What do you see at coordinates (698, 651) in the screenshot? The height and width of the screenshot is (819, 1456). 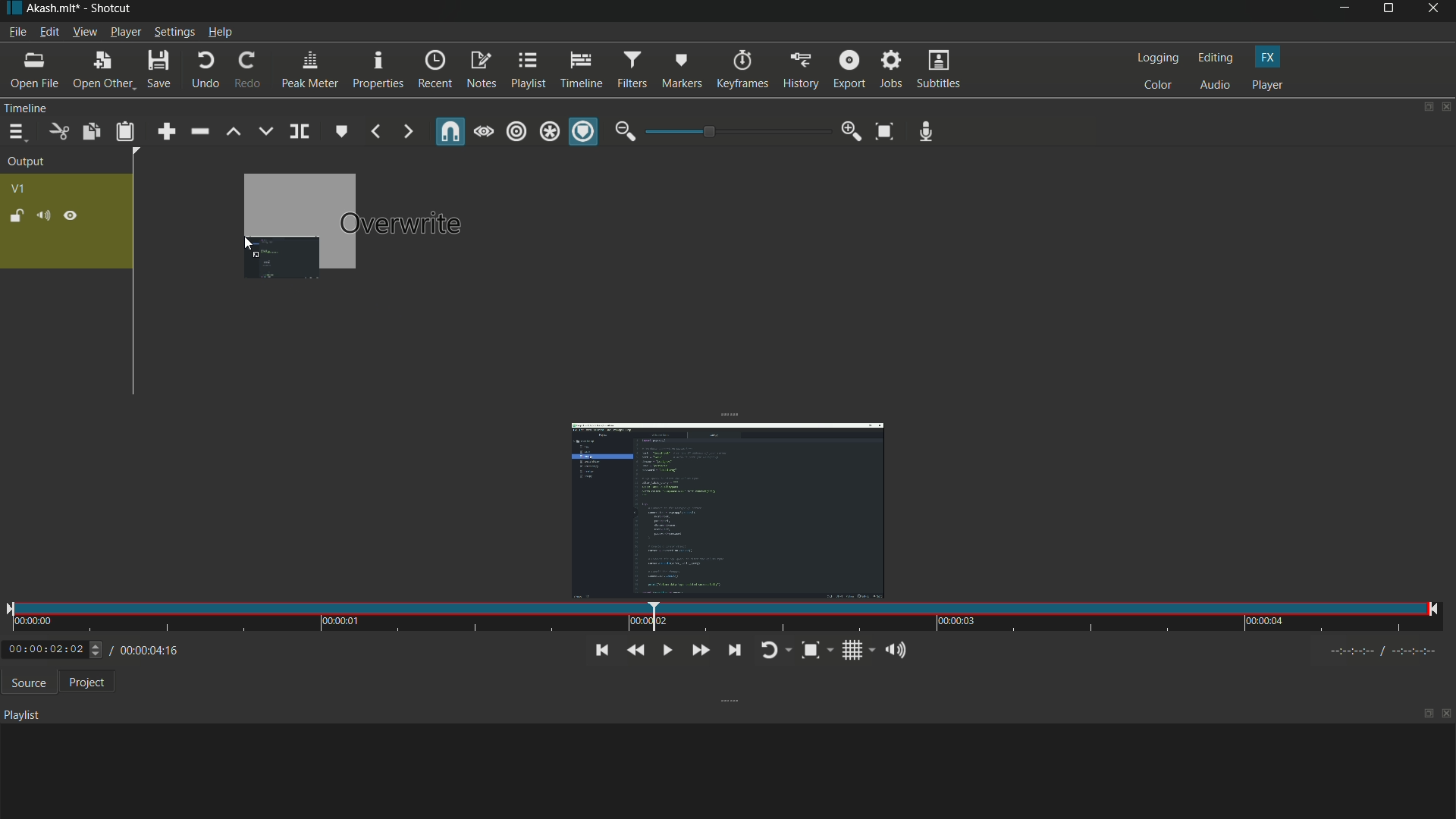 I see `quickly play forward` at bounding box center [698, 651].